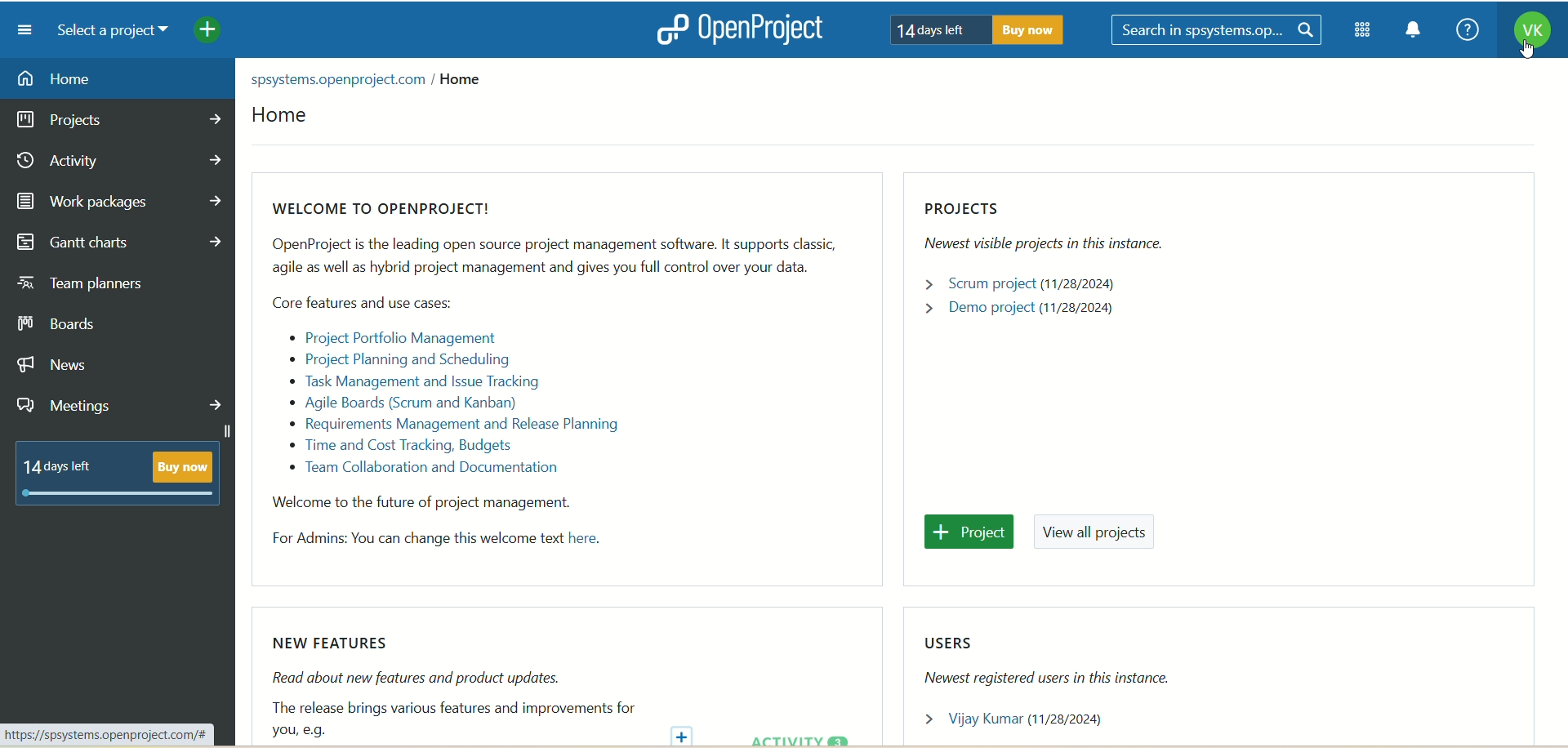 The width and height of the screenshot is (1568, 748). Describe the element at coordinates (1025, 721) in the screenshot. I see `user` at that location.